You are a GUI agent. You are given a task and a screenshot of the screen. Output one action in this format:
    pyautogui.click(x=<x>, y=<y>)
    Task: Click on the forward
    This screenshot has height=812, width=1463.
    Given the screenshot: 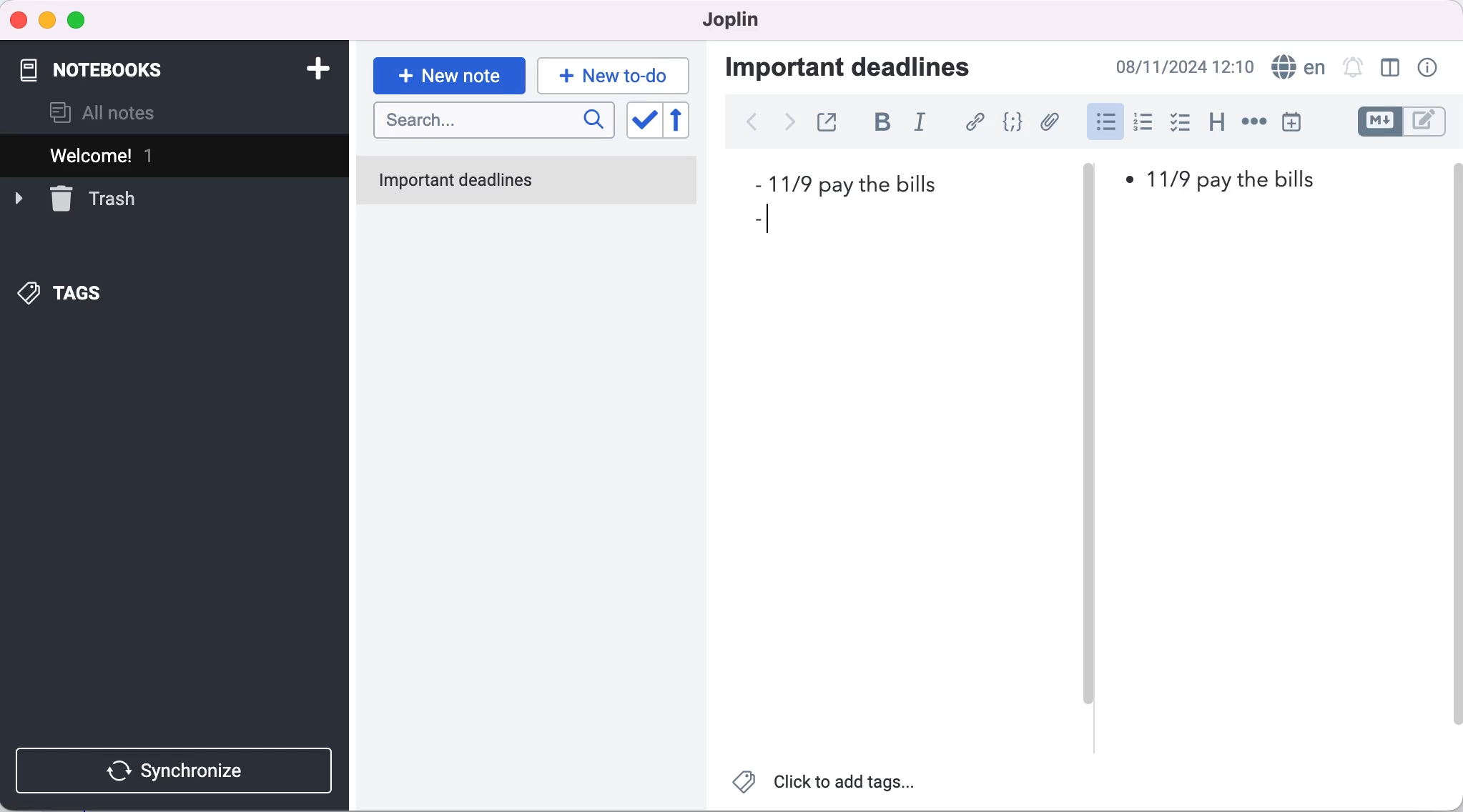 What is the action you would take?
    pyautogui.click(x=789, y=122)
    